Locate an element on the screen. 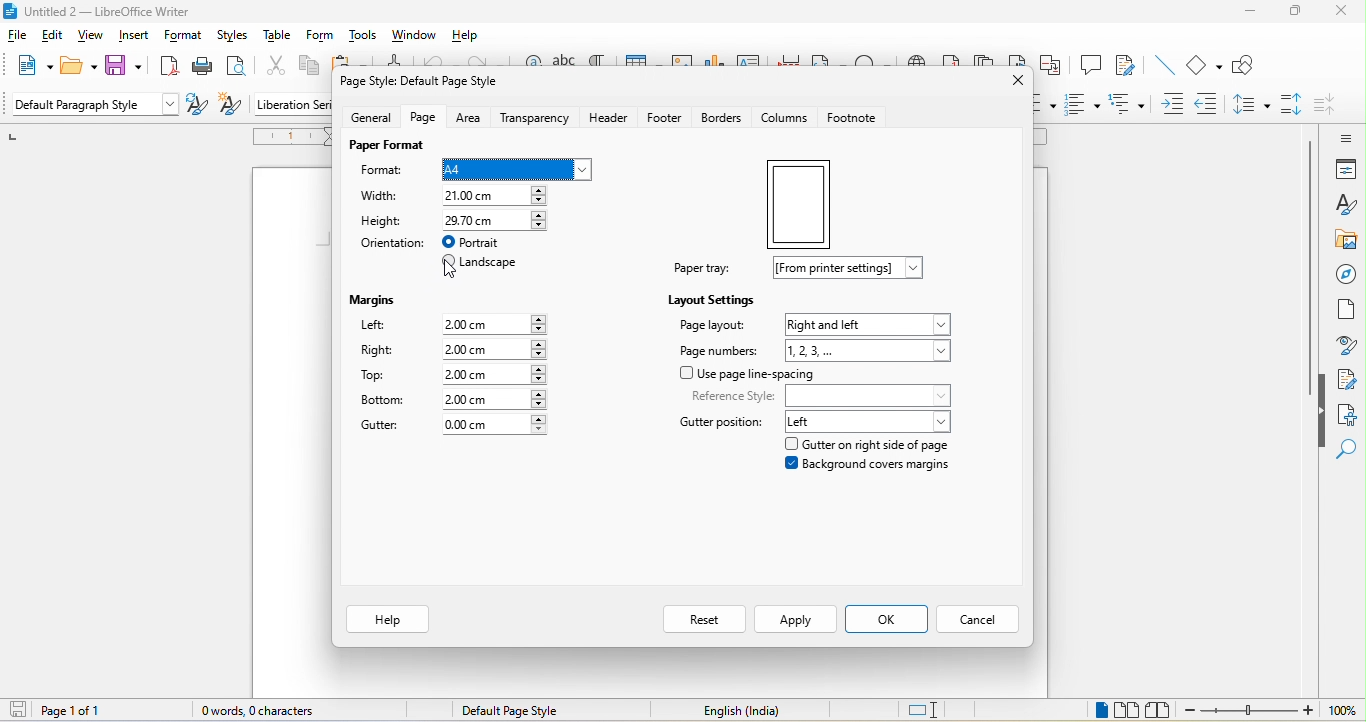 The height and width of the screenshot is (722, 1366). form is located at coordinates (324, 37).